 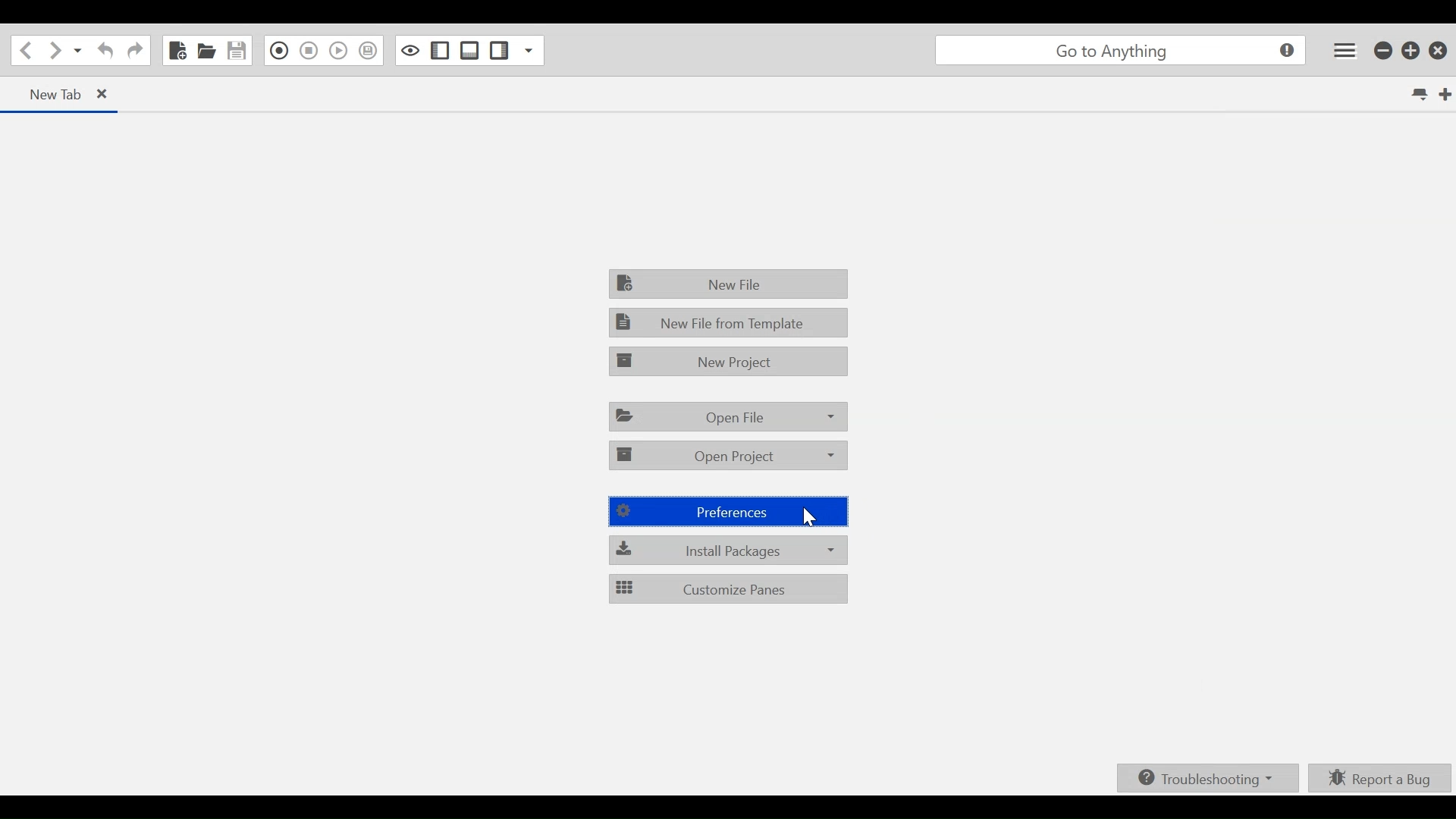 I want to click on Report a Bug, so click(x=1380, y=777).